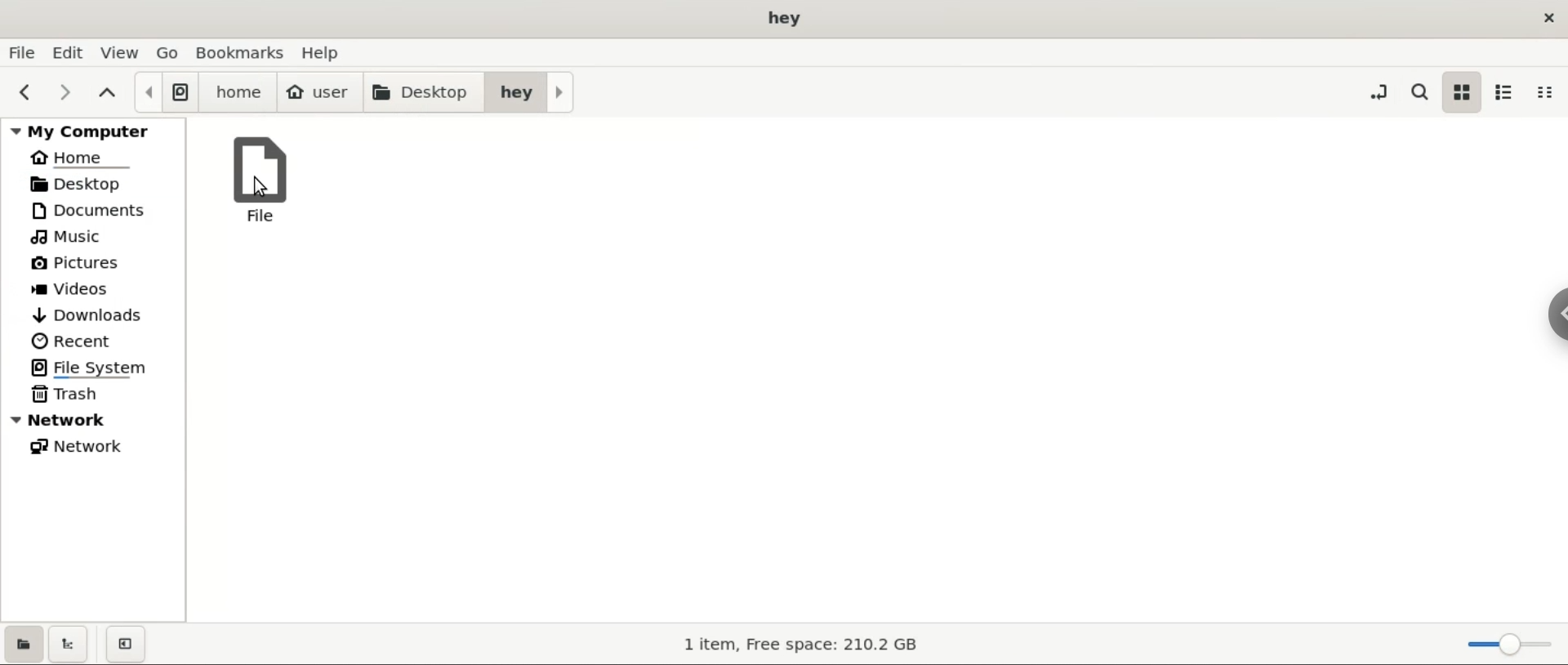 The image size is (1568, 665). Describe the element at coordinates (94, 239) in the screenshot. I see `music` at that location.